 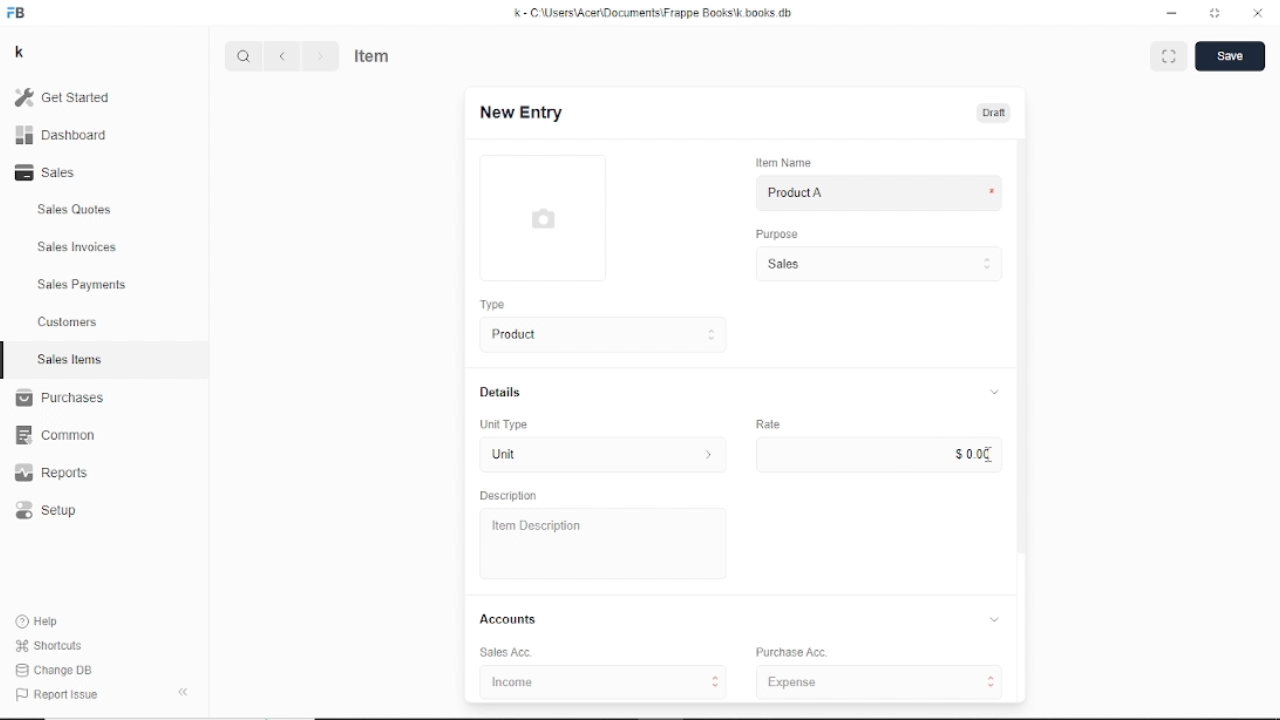 What do you see at coordinates (47, 511) in the screenshot?
I see `Setup` at bounding box center [47, 511].